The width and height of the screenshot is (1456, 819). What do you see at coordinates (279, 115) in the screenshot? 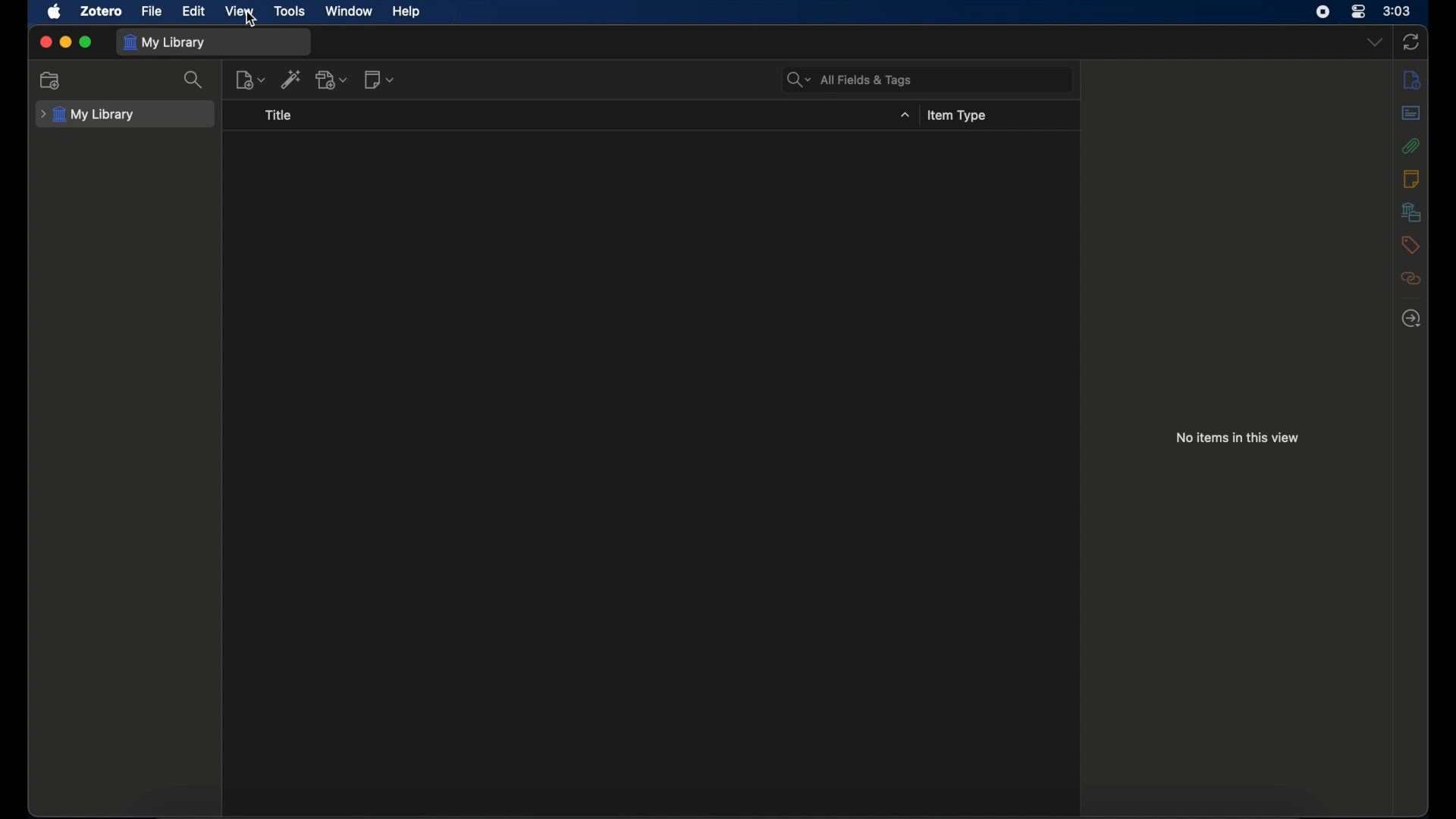
I see `title` at bounding box center [279, 115].